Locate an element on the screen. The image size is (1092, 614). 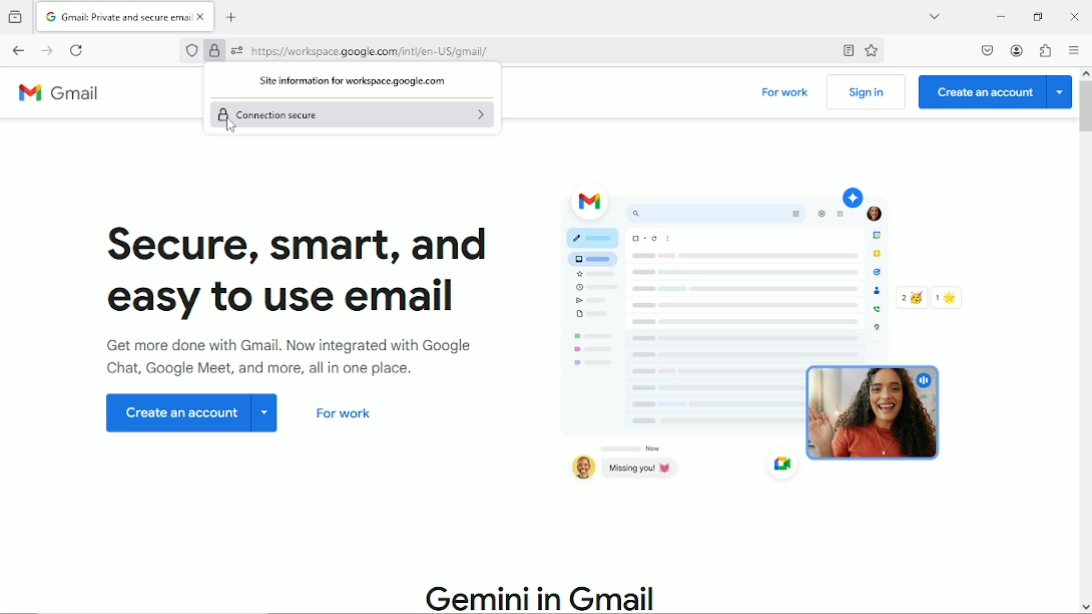
New tab is located at coordinates (233, 15).